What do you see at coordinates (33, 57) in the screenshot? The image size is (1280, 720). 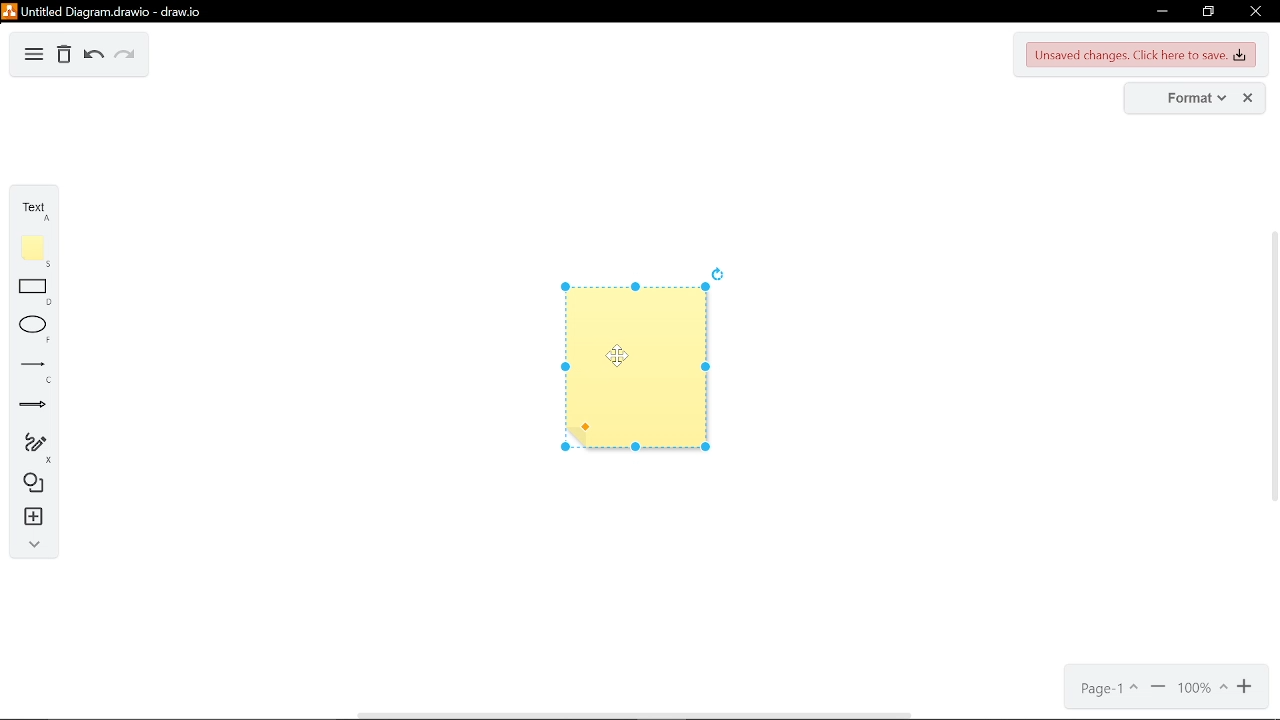 I see `diagram` at bounding box center [33, 57].